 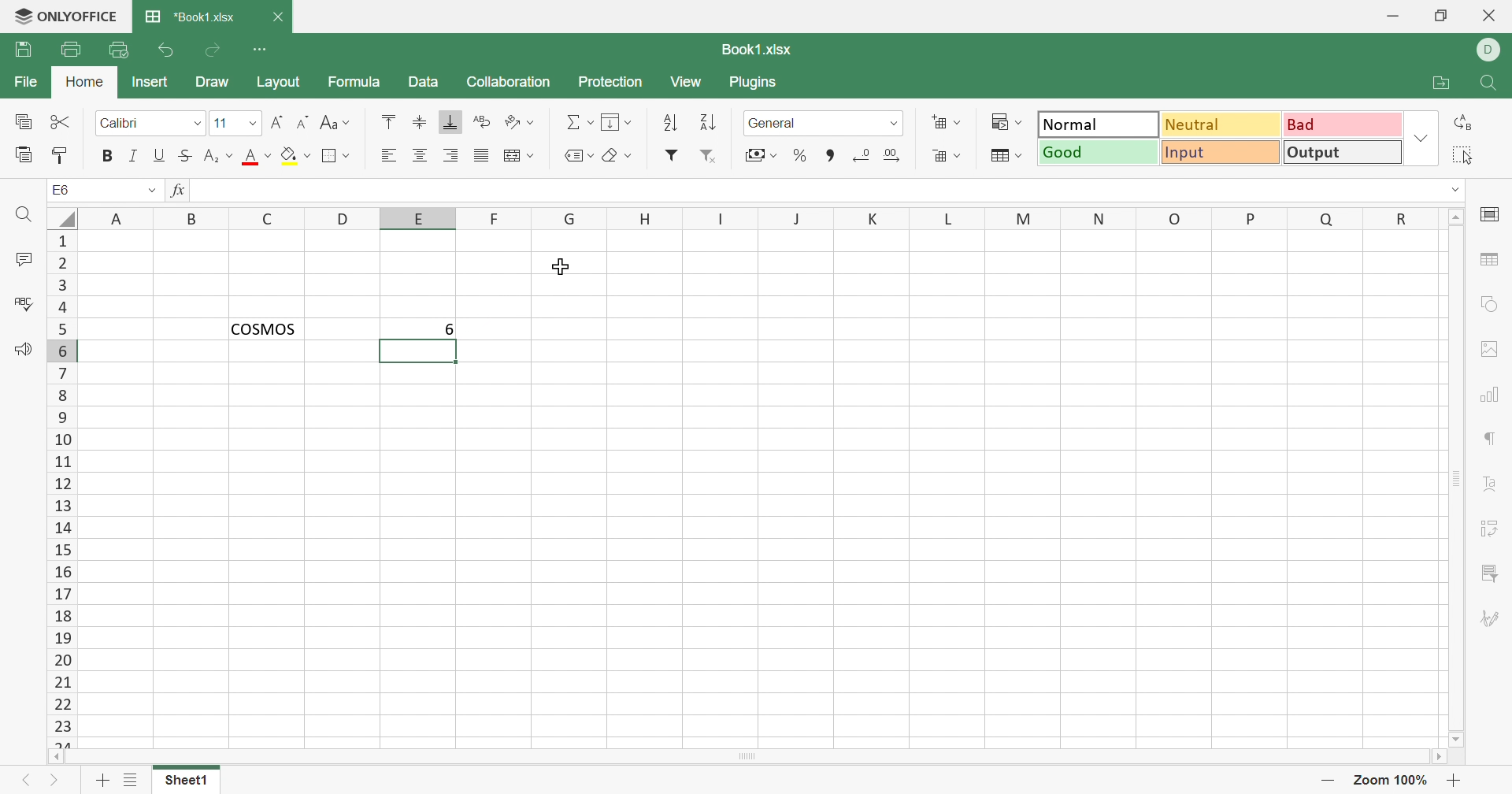 I want to click on Align Right, so click(x=451, y=158).